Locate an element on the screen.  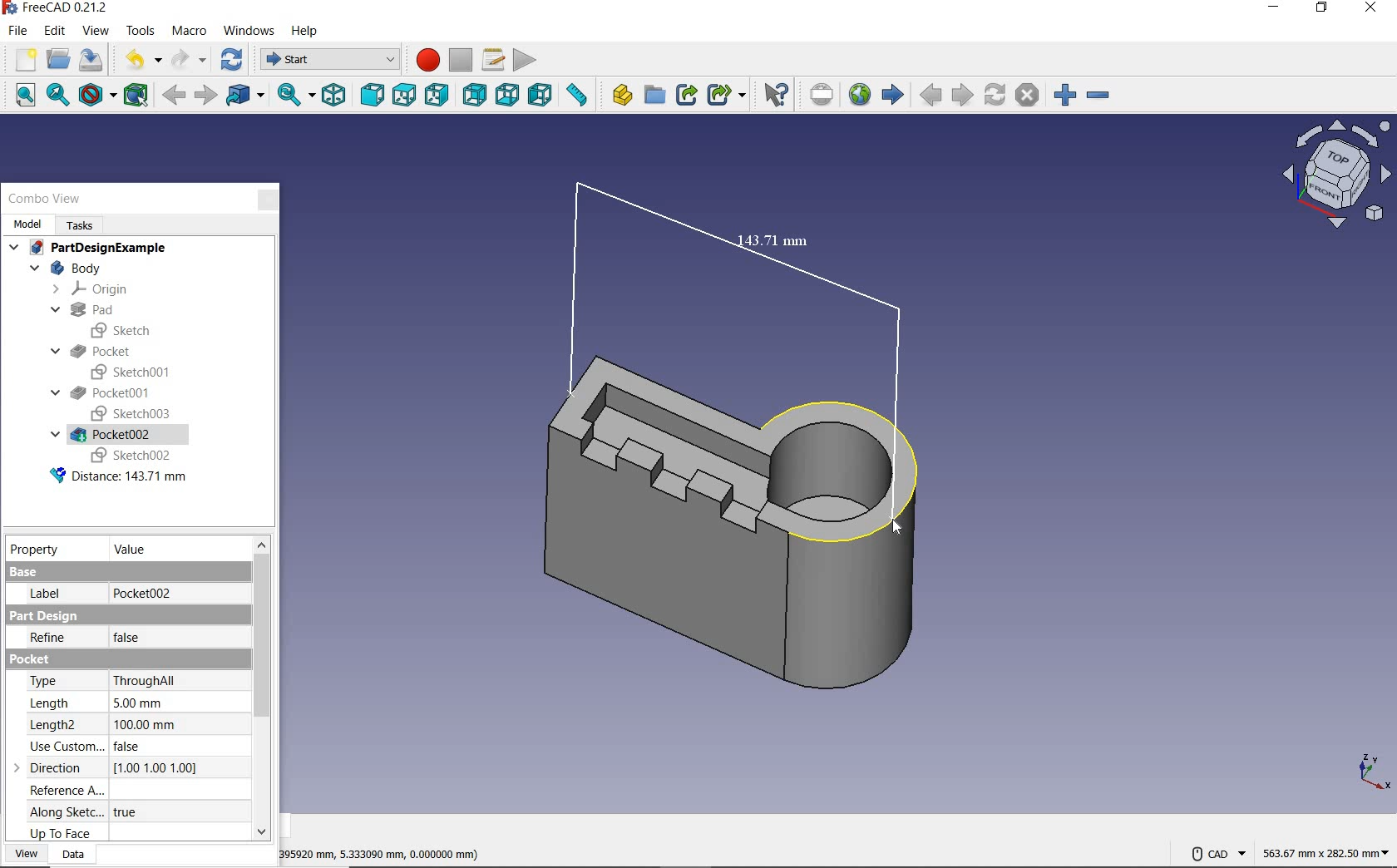
FreeCAD 0.21.2 (Application details) is located at coordinates (62, 11).